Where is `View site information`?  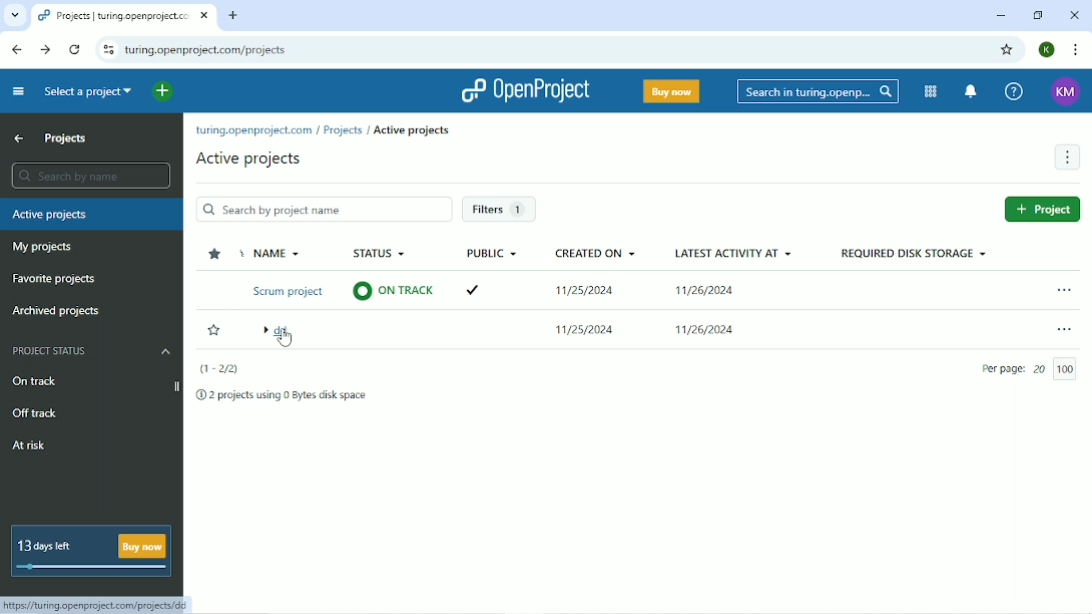 View site information is located at coordinates (108, 50).